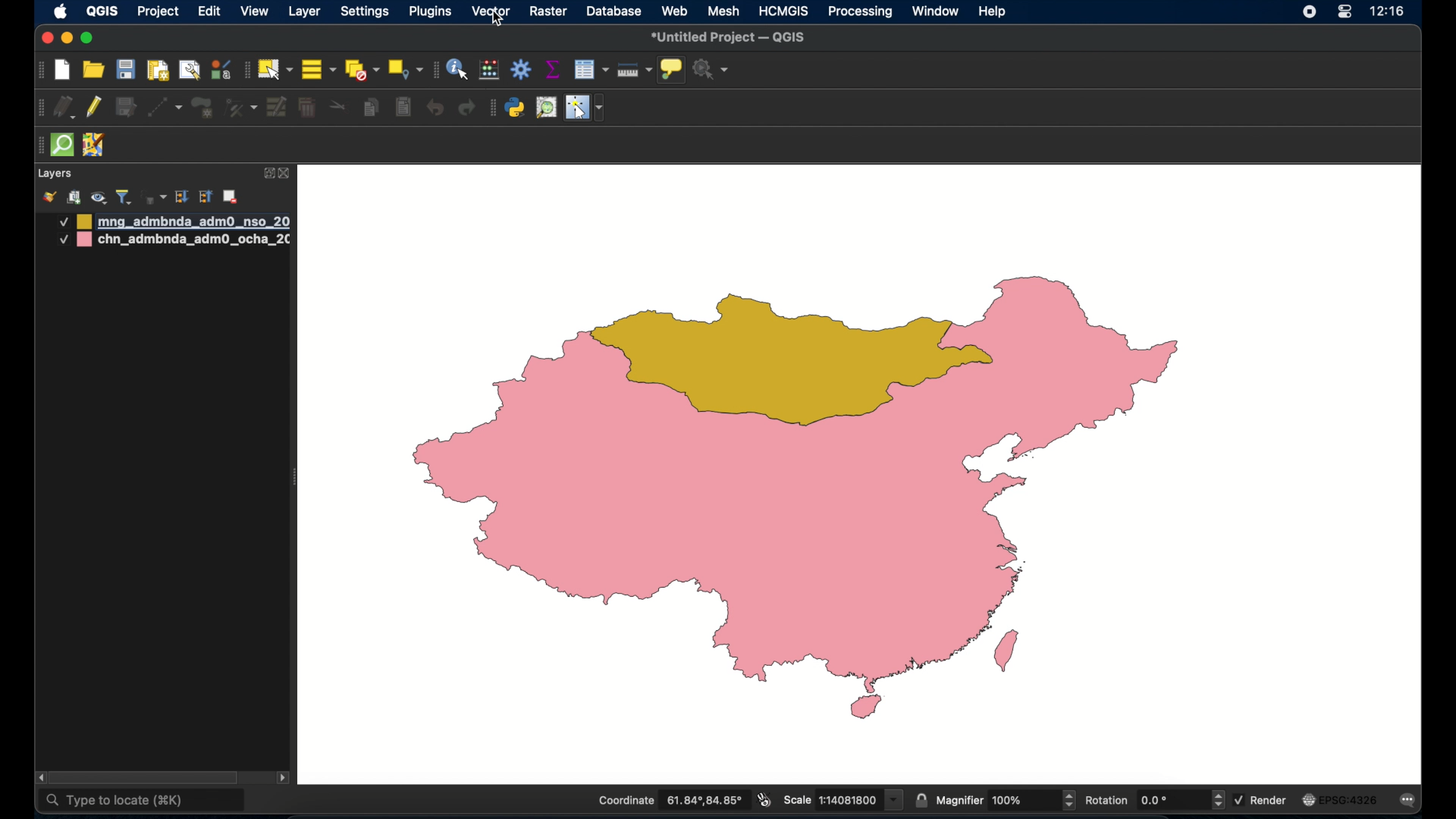 Image resolution: width=1456 pixels, height=819 pixels. I want to click on scroll box, so click(149, 777).